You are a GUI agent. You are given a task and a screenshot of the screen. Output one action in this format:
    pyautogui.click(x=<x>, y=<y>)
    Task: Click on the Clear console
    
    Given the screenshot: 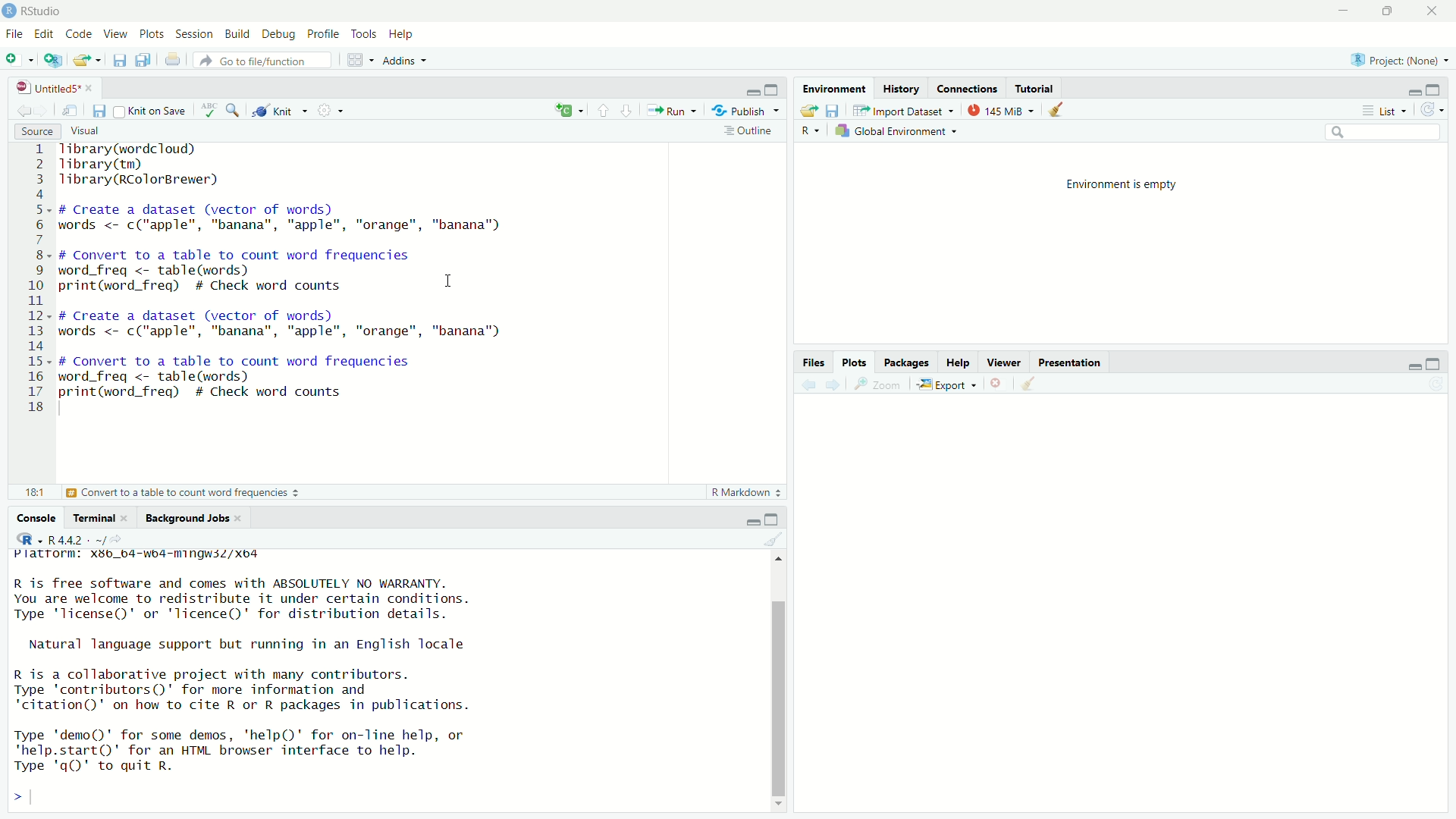 What is the action you would take?
    pyautogui.click(x=1059, y=111)
    